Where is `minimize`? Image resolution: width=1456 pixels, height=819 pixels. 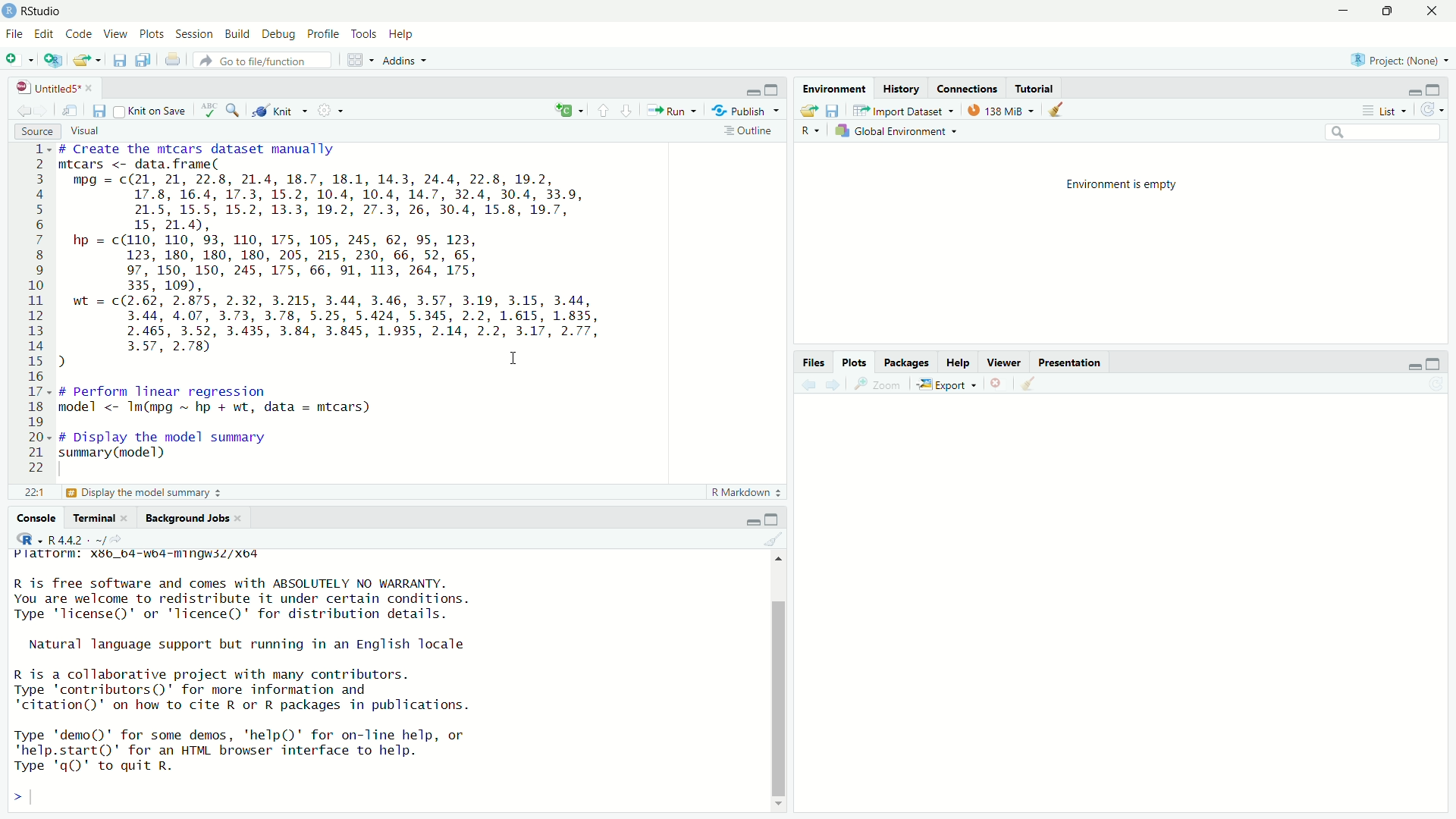
minimize is located at coordinates (752, 521).